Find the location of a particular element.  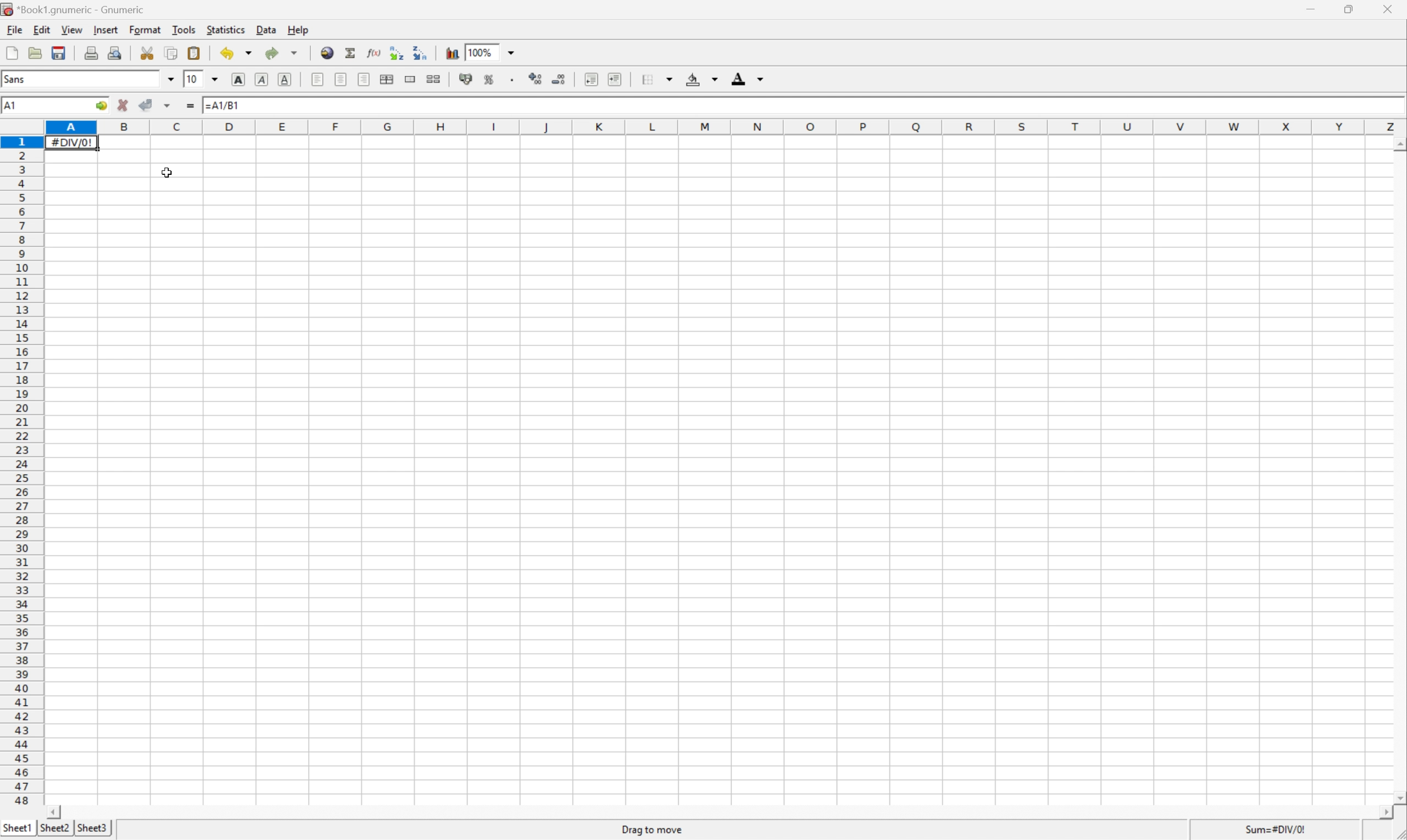

Sheet1 is located at coordinates (17, 826).